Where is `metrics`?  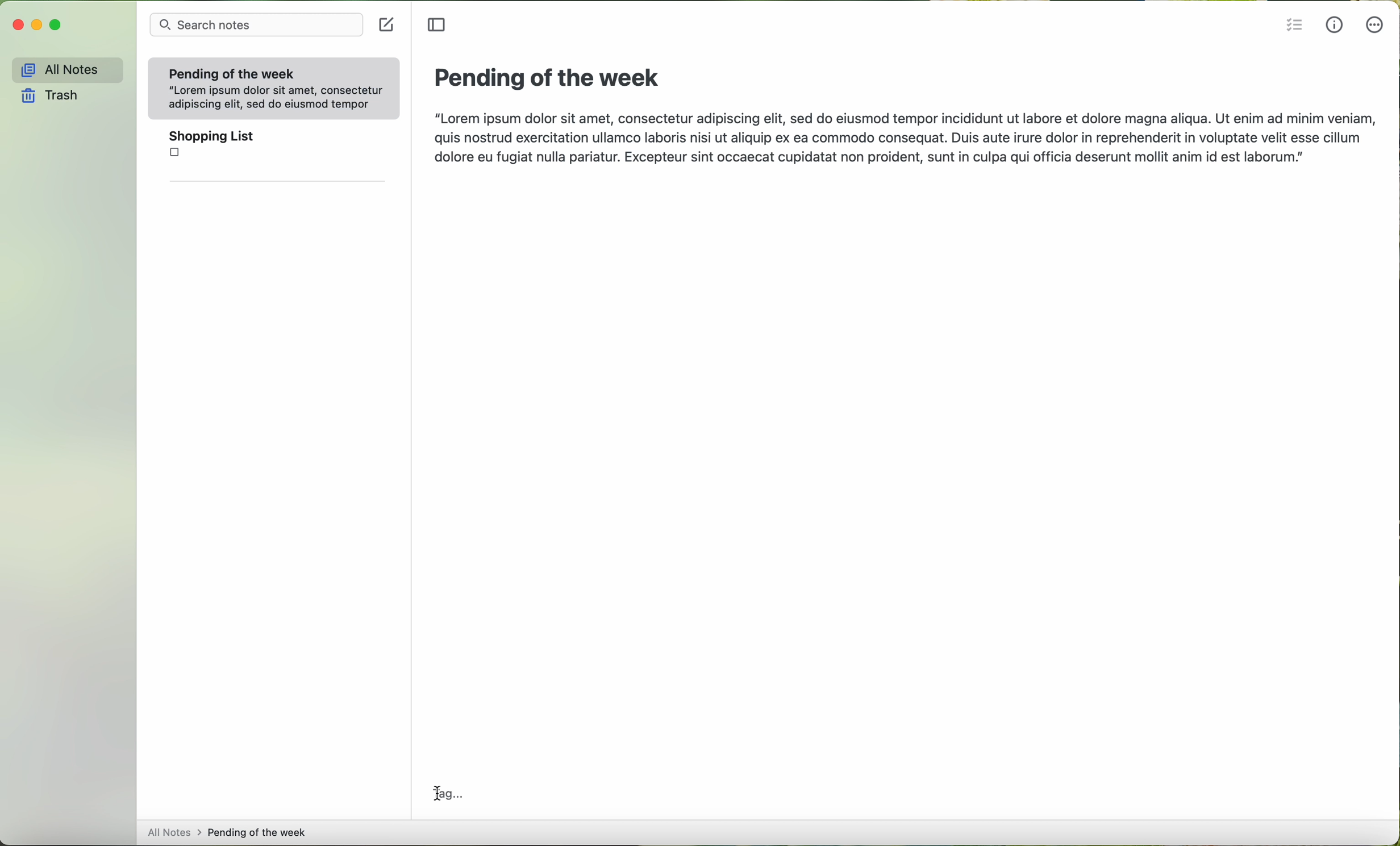
metrics is located at coordinates (1336, 26).